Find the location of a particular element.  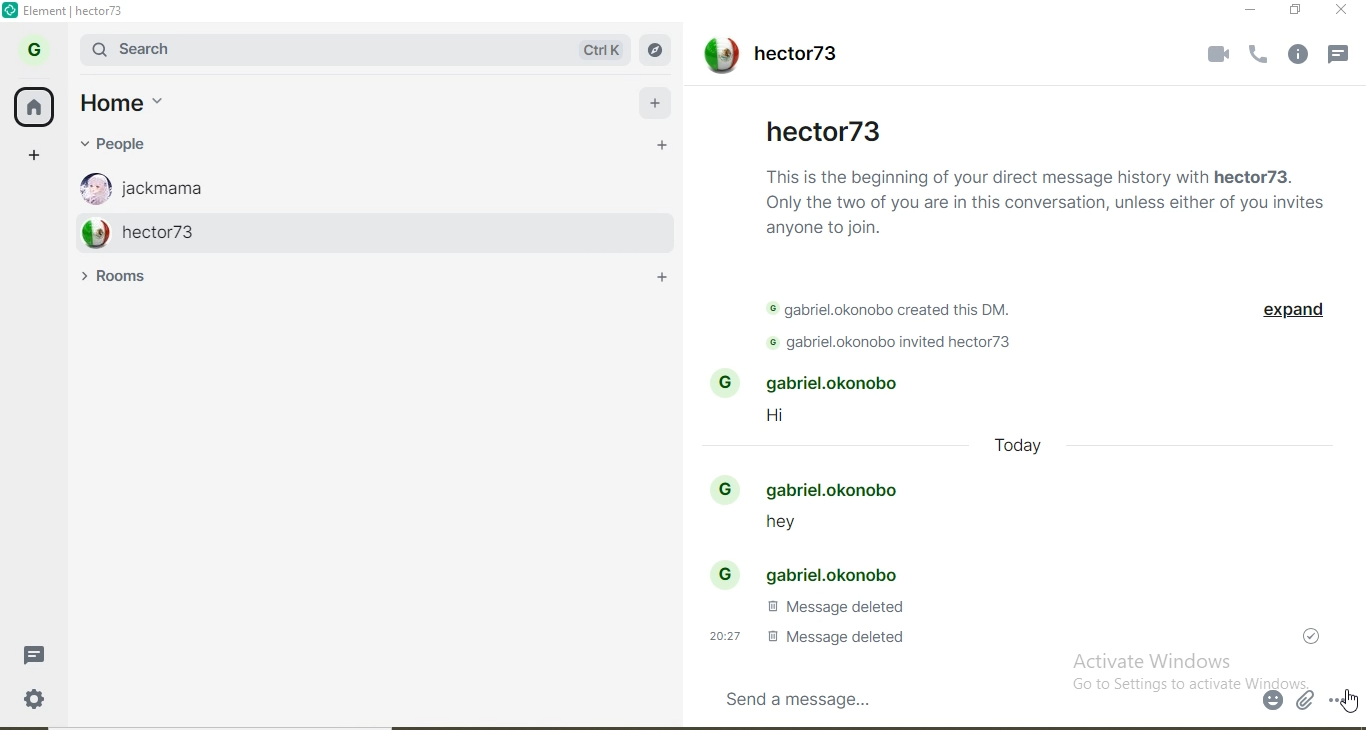

search bar is located at coordinates (307, 49).